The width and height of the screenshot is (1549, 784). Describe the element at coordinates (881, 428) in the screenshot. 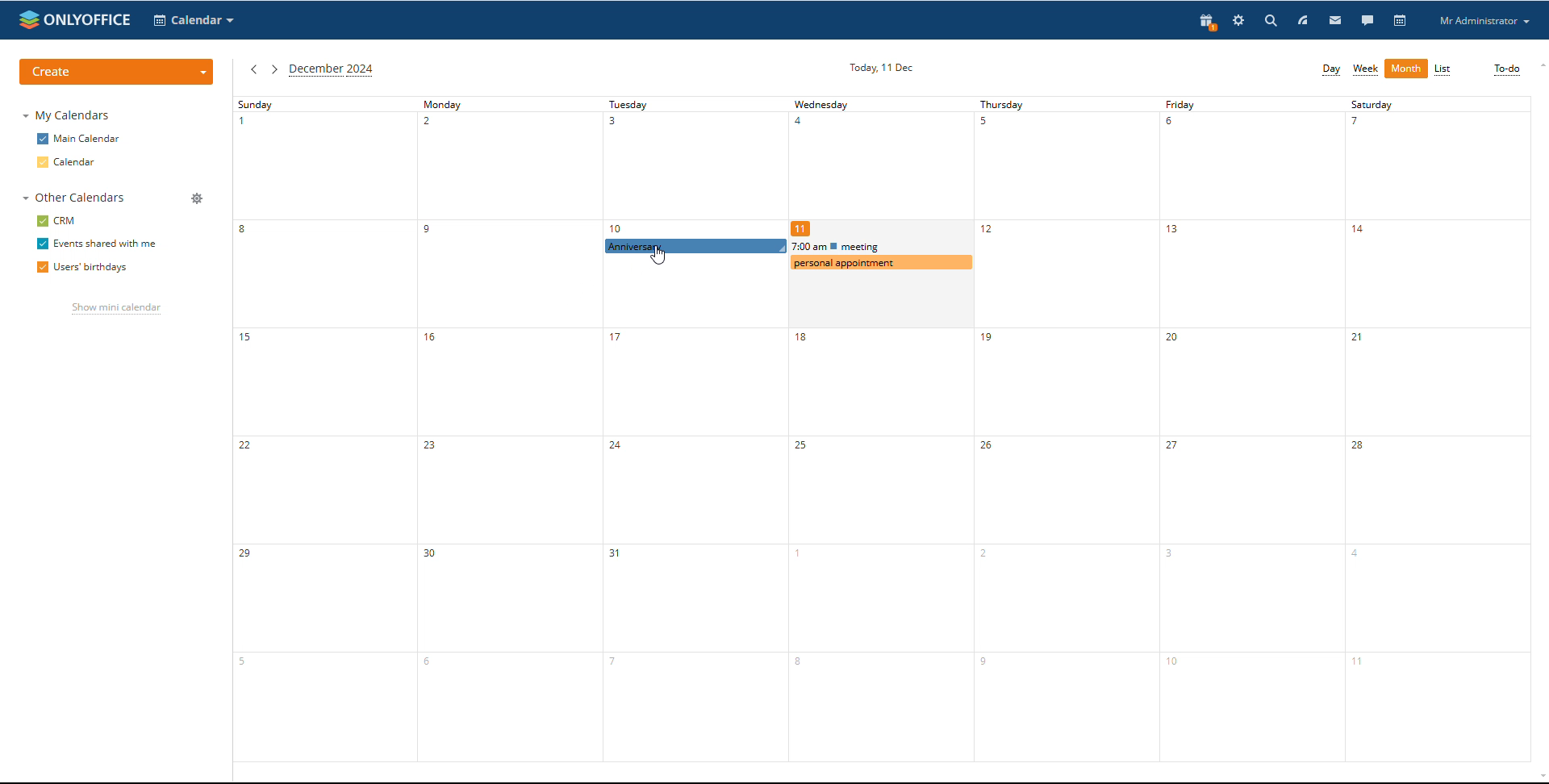

I see `wednesday` at that location.